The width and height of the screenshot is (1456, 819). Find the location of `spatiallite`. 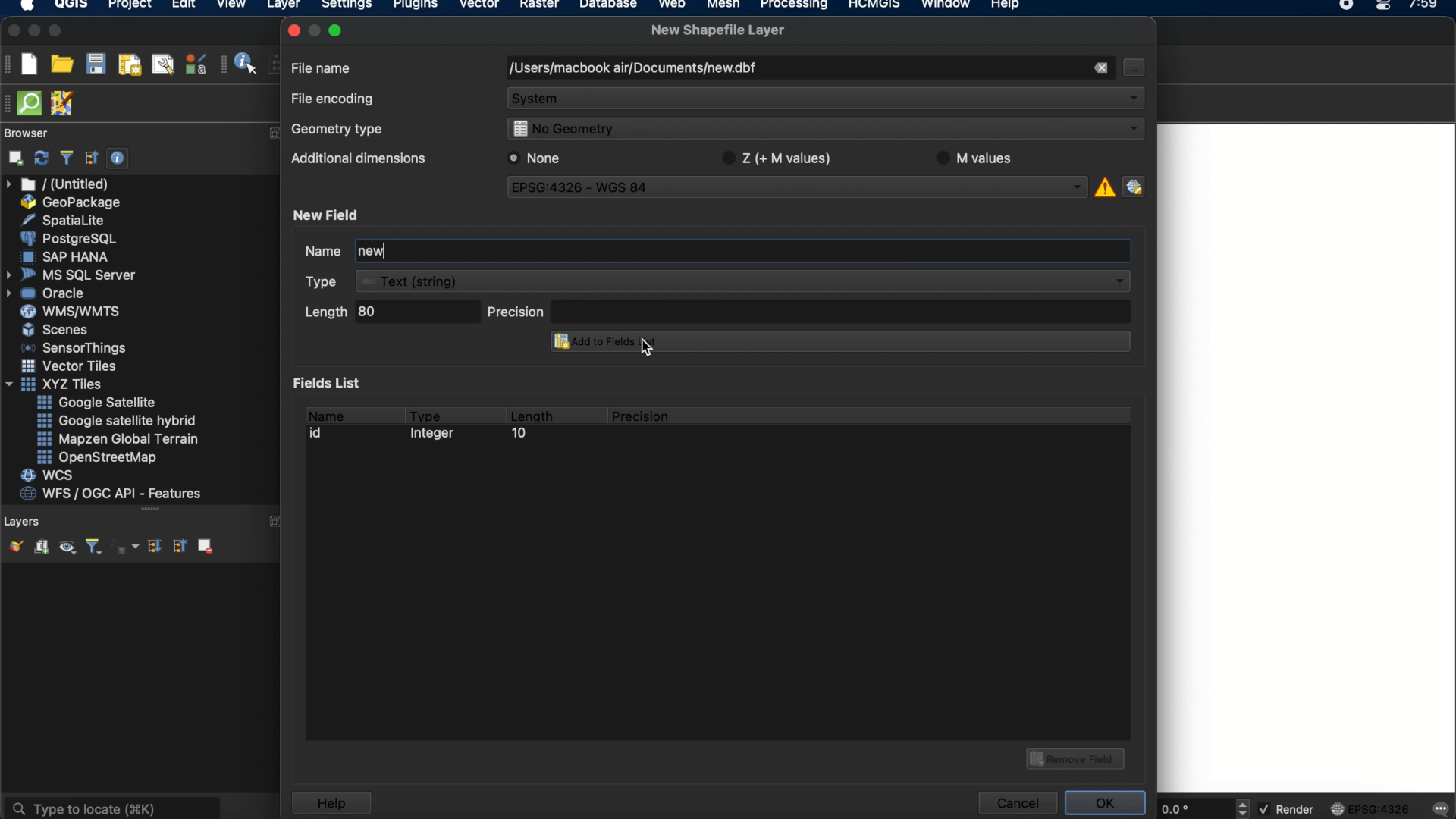

spatiallite is located at coordinates (66, 220).